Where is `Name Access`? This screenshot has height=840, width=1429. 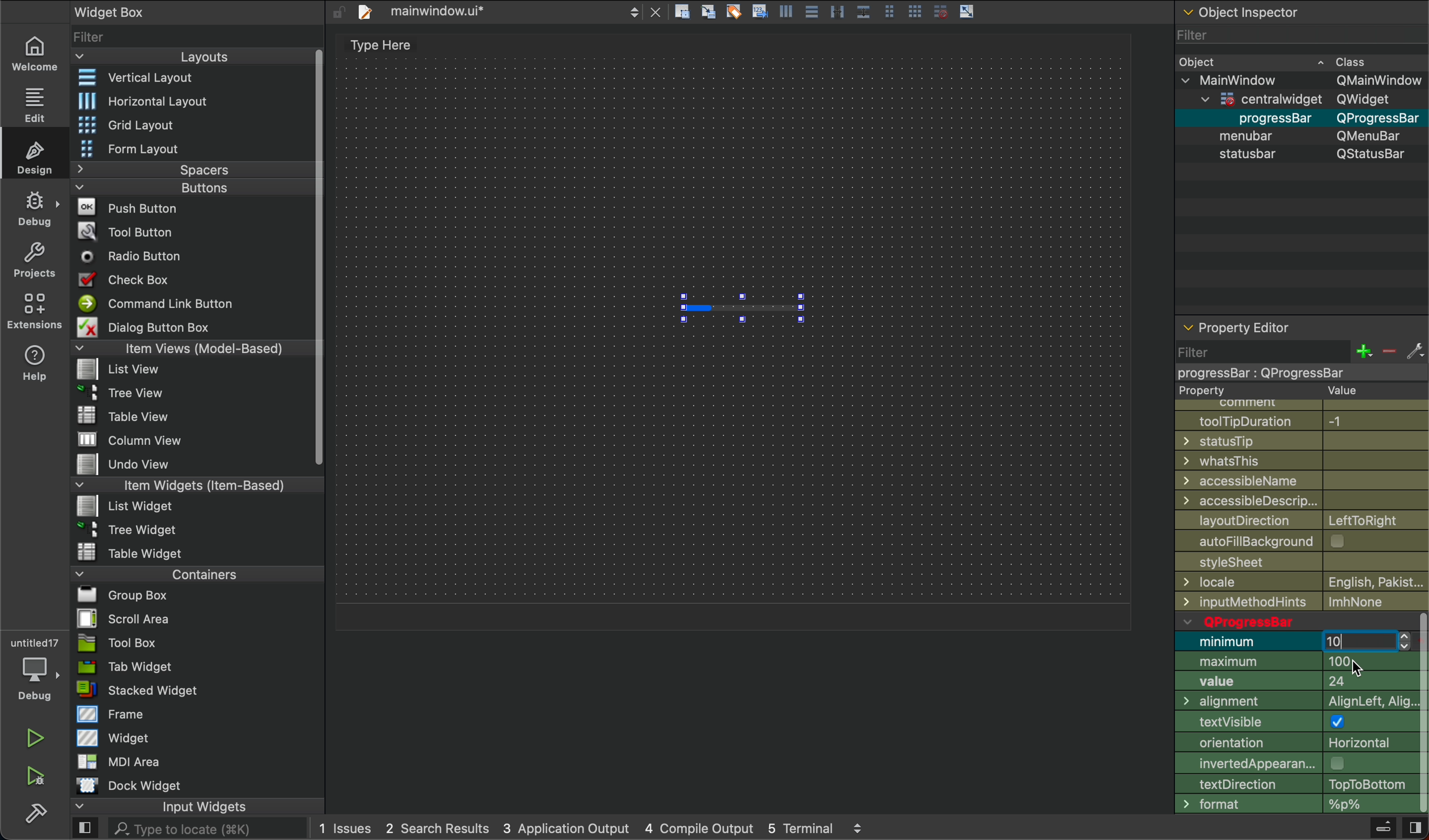
Name Access is located at coordinates (1301, 481).